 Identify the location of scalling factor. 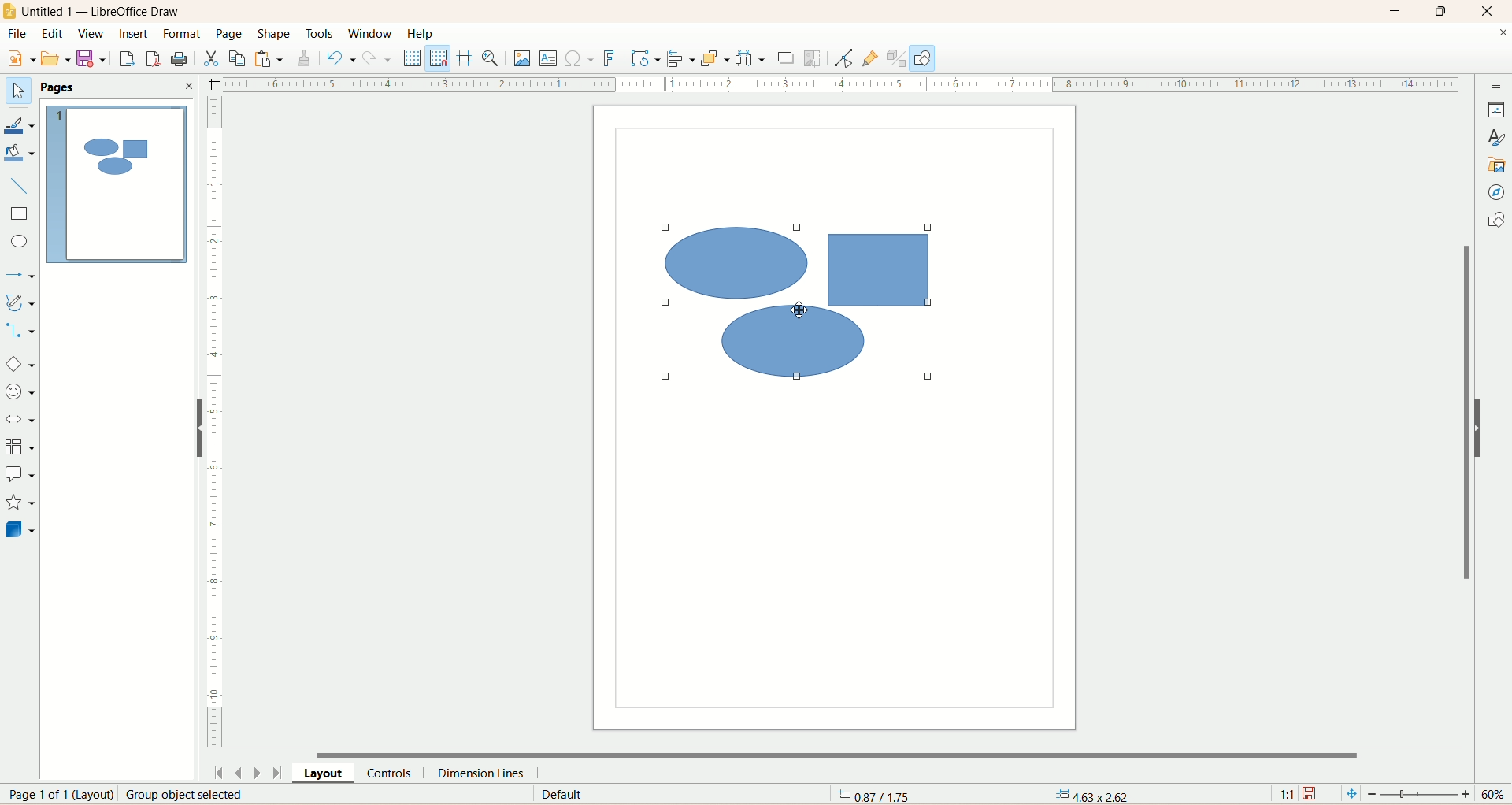
(1288, 792).